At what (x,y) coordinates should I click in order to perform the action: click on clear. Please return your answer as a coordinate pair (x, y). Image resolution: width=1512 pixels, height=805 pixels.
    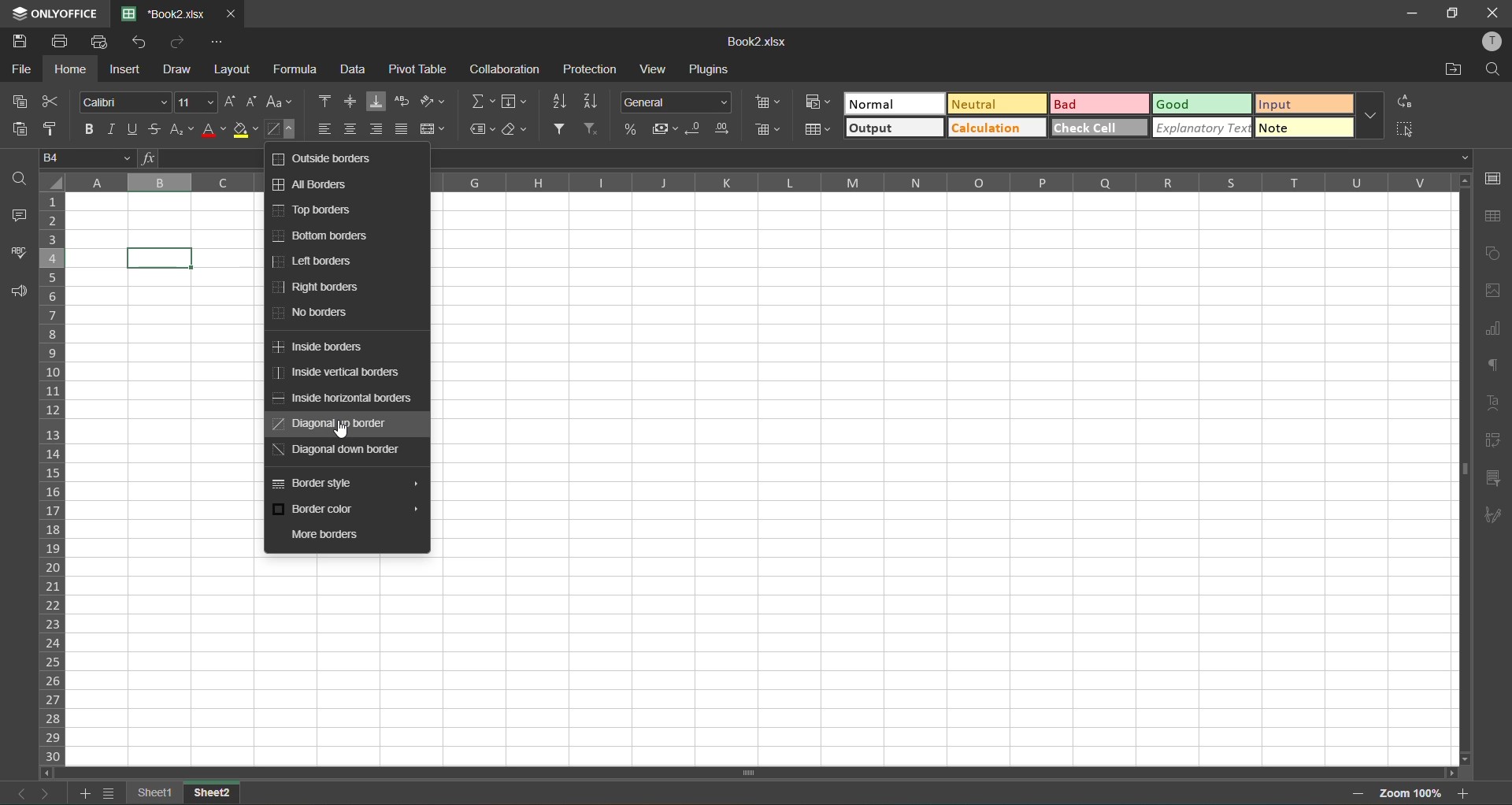
    Looking at the image, I should click on (513, 130).